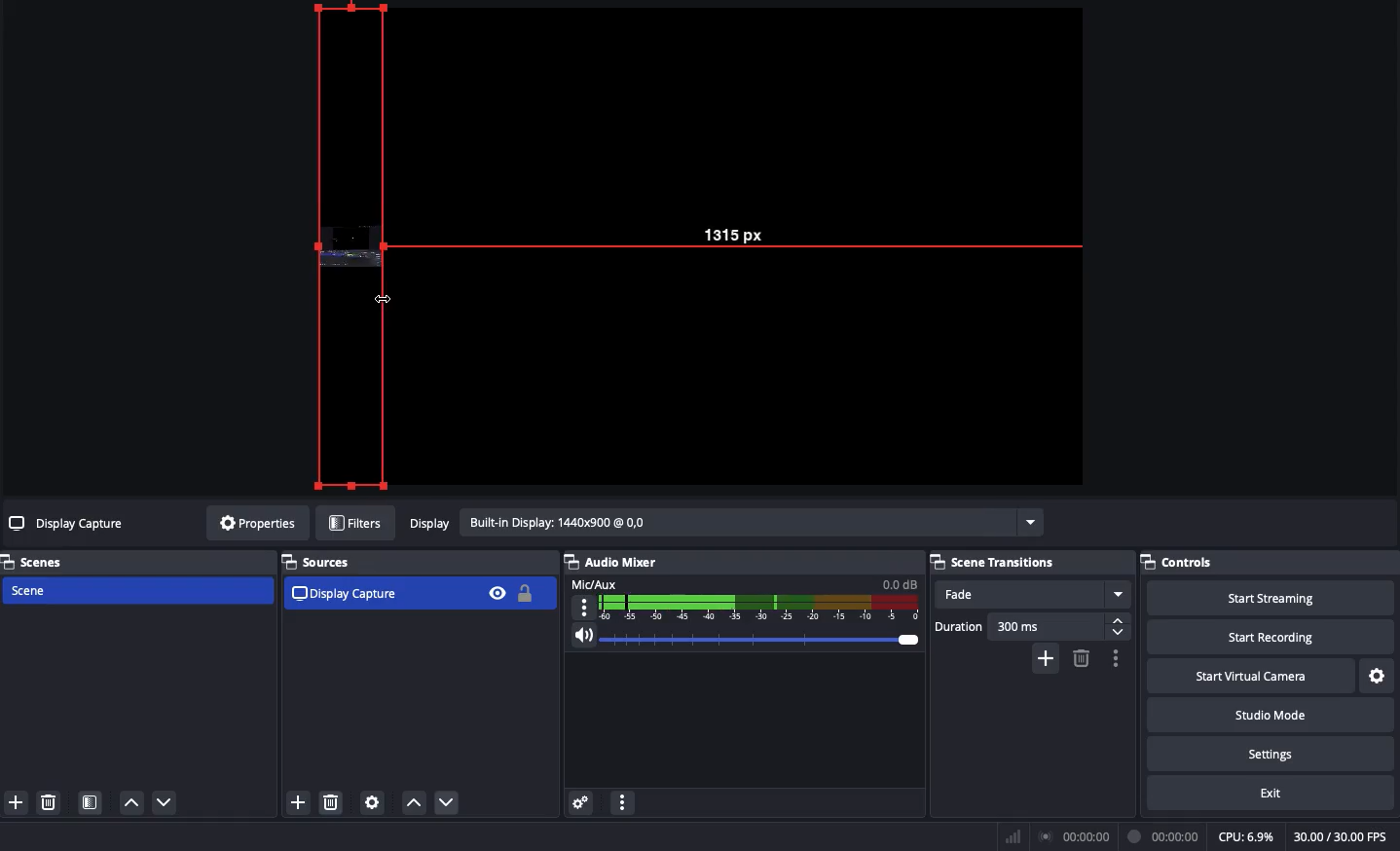 The width and height of the screenshot is (1400, 851). What do you see at coordinates (451, 804) in the screenshot?
I see `Down` at bounding box center [451, 804].